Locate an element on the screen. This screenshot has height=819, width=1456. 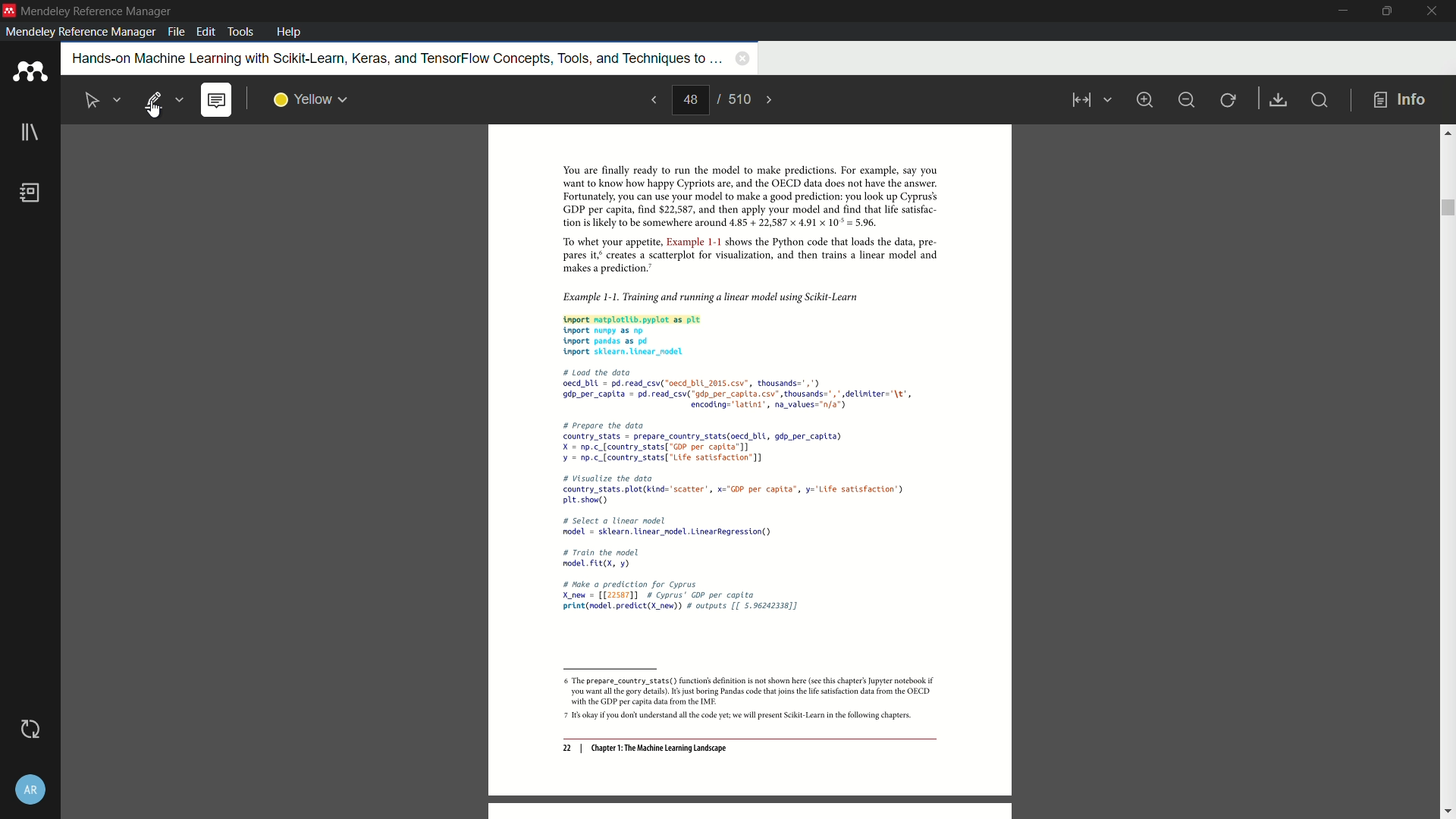
previous page is located at coordinates (652, 99).